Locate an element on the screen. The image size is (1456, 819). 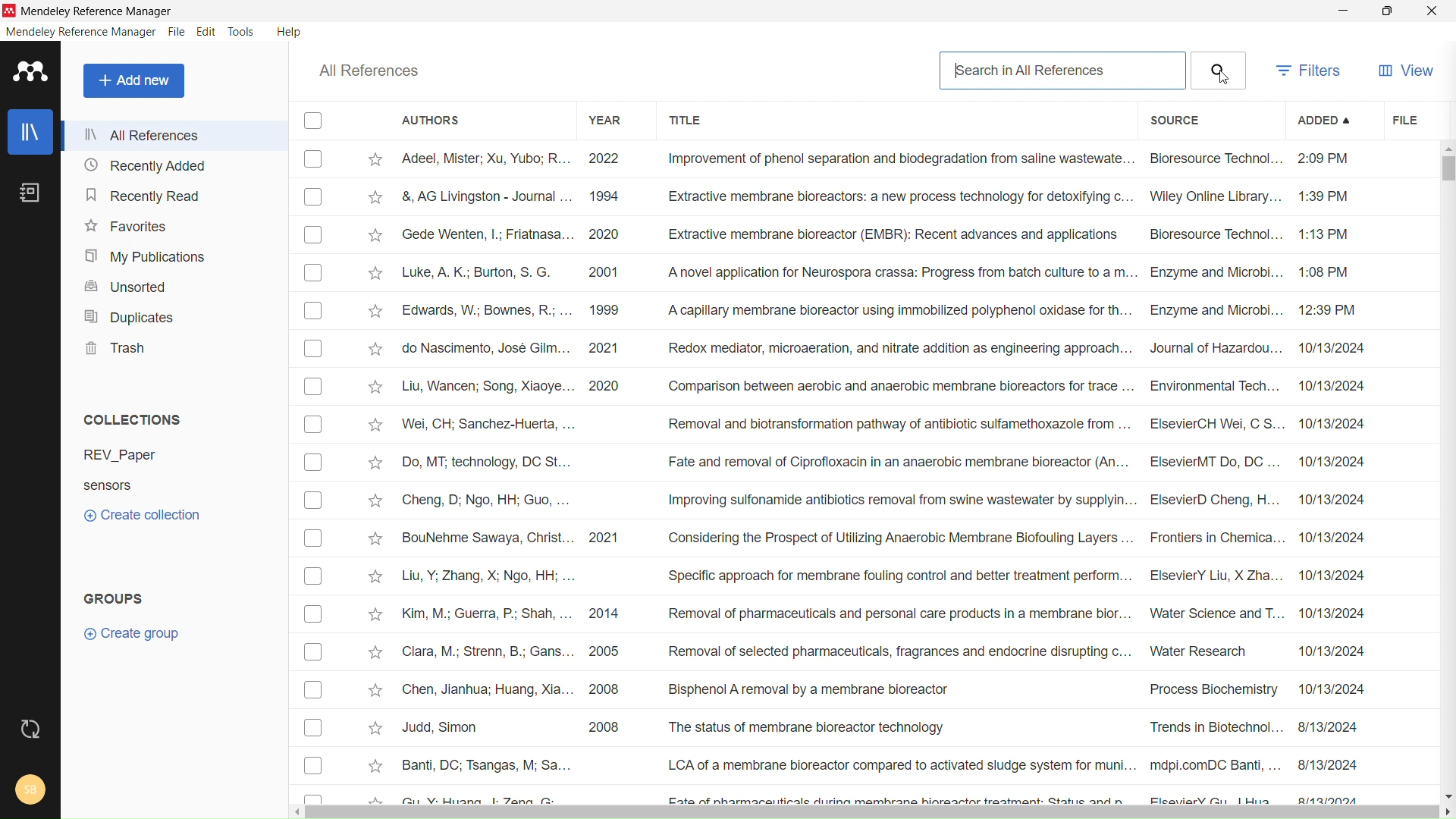
scroll down is located at coordinates (1447, 793).